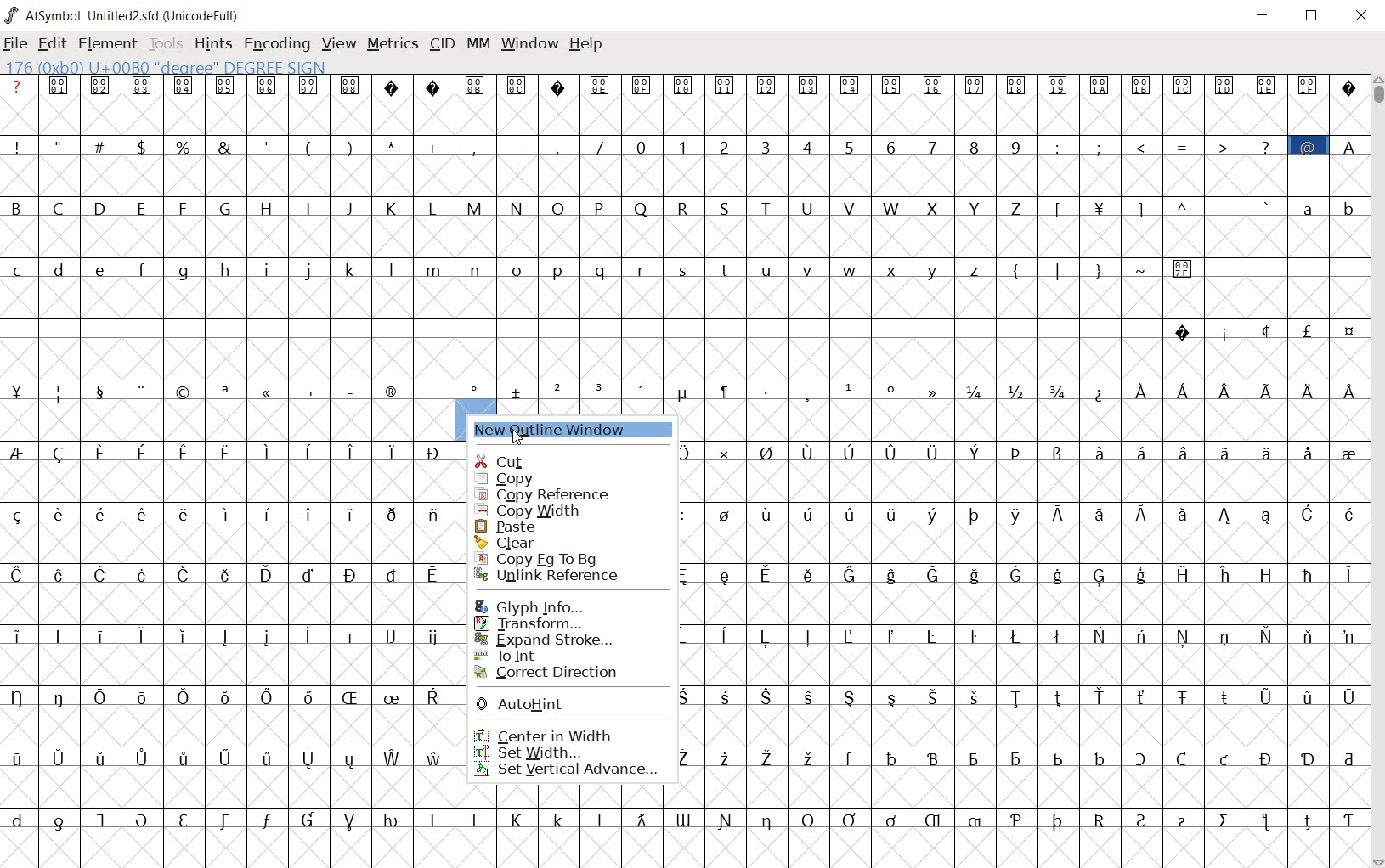 This screenshot has width=1385, height=868. Describe the element at coordinates (277, 43) in the screenshot. I see `encoding` at that location.